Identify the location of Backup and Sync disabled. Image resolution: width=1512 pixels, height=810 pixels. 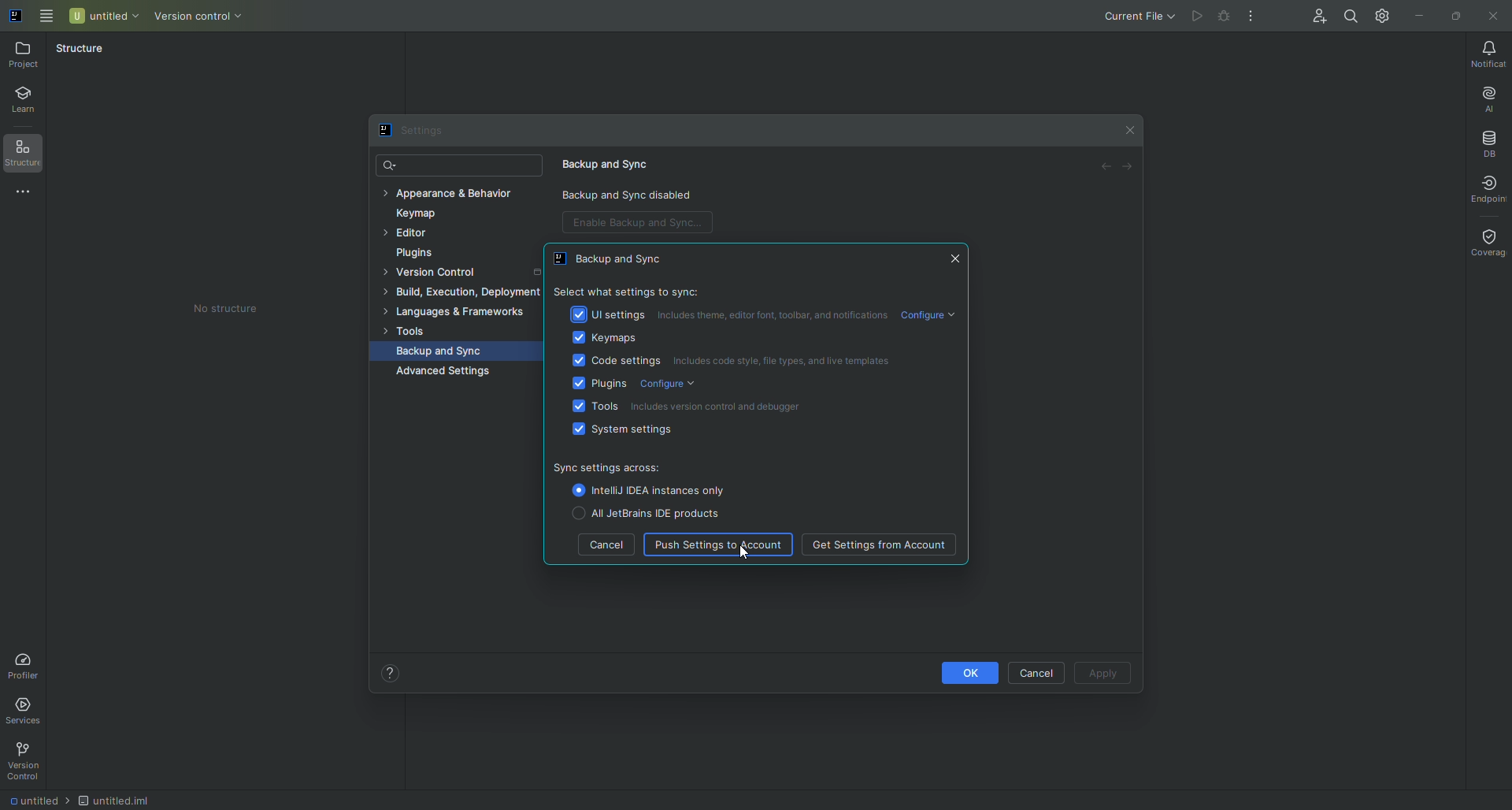
(637, 198).